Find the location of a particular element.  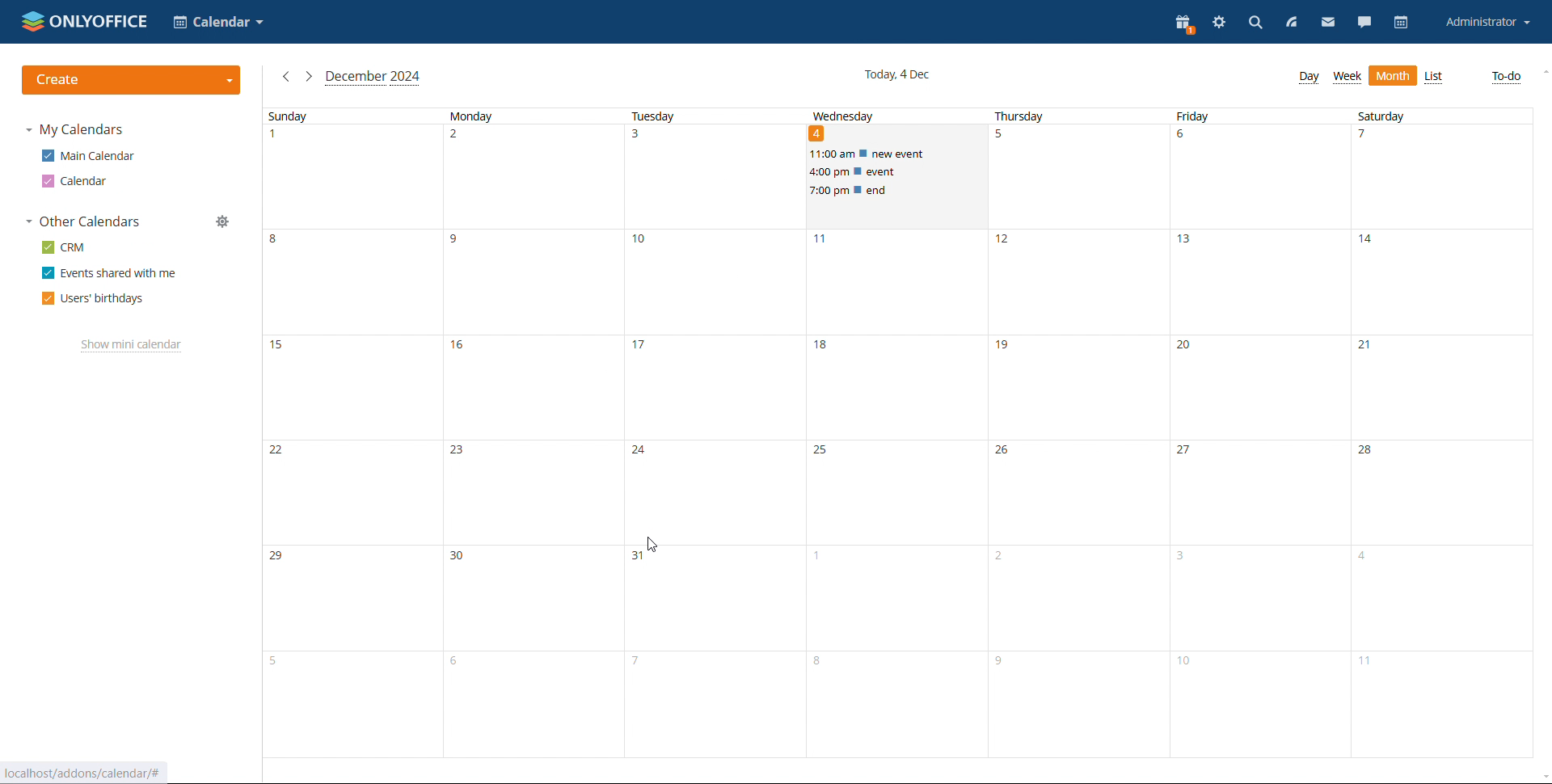

date is located at coordinates (818, 134).